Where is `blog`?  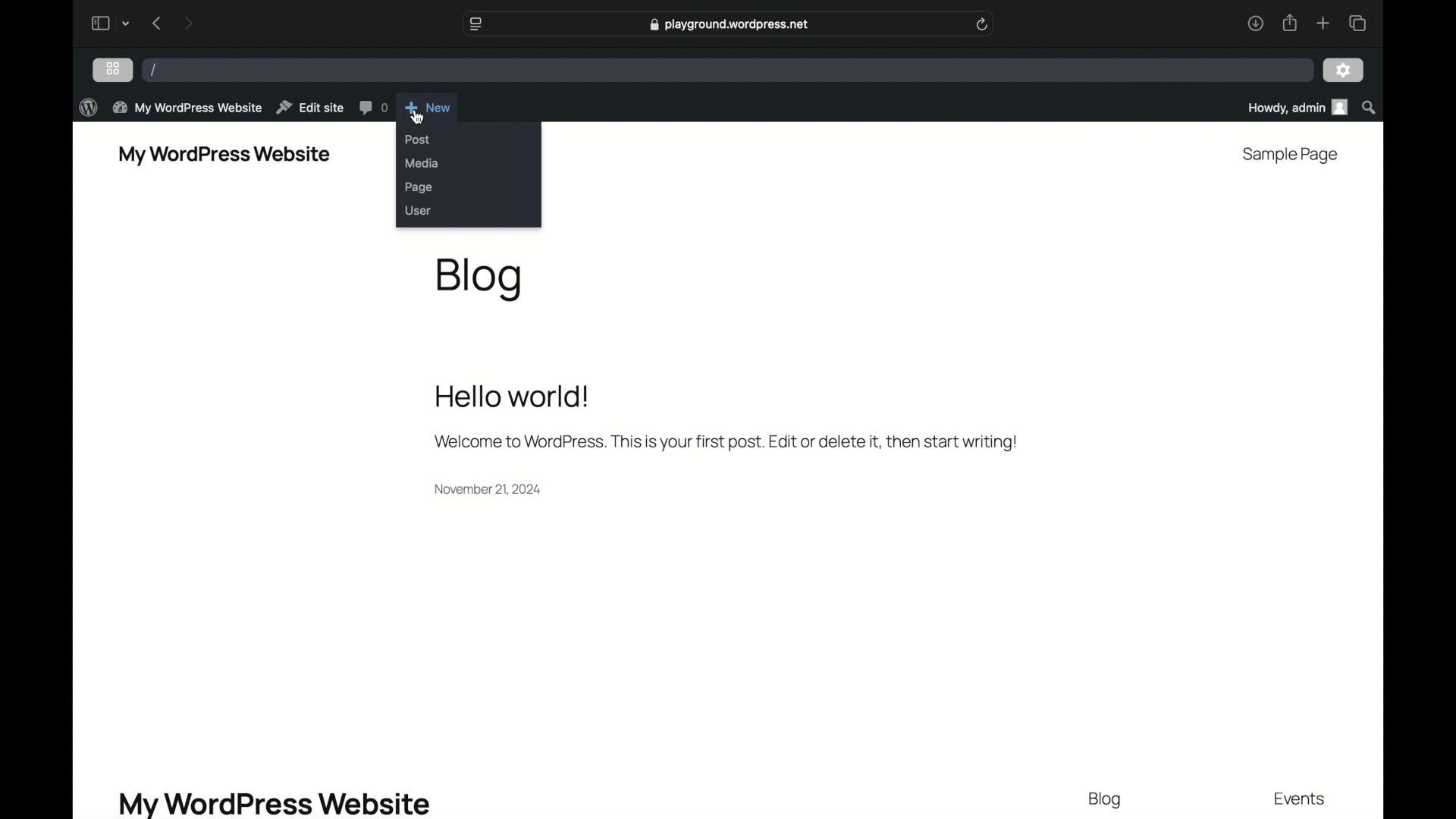
blog is located at coordinates (1105, 800).